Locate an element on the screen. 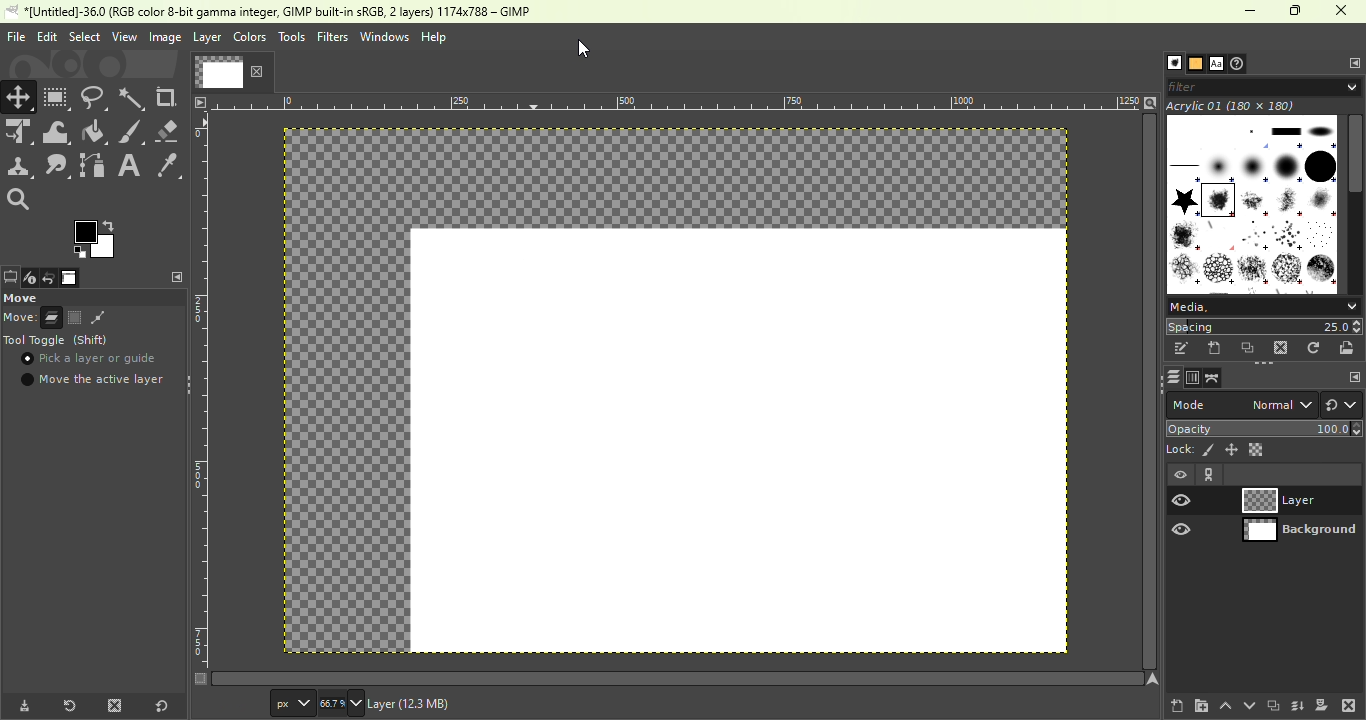 Image resolution: width=1366 pixels, height=720 pixels. Paint is located at coordinates (95, 133).